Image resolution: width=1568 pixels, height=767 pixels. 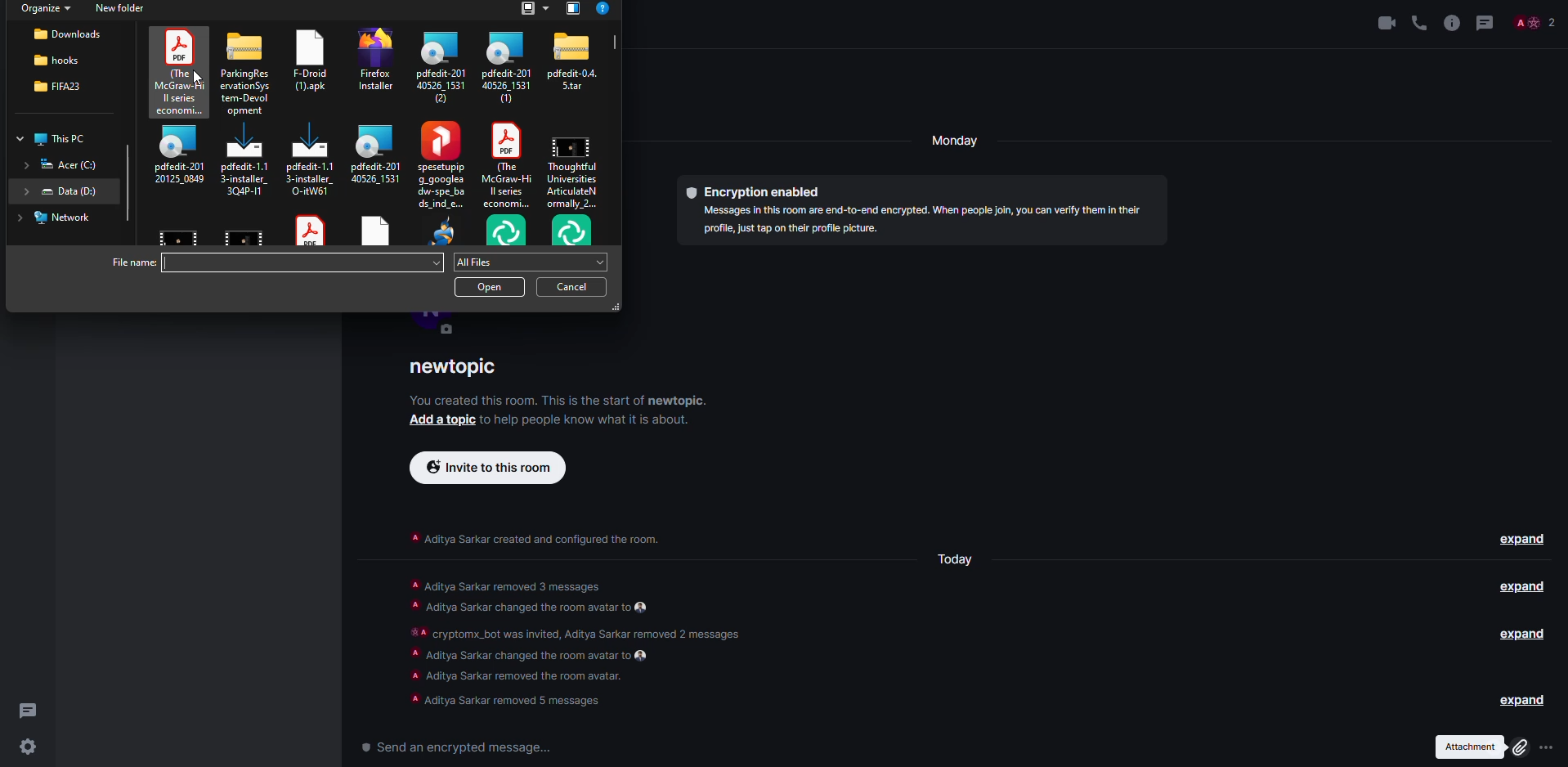 What do you see at coordinates (493, 286) in the screenshot?
I see `open` at bounding box center [493, 286].